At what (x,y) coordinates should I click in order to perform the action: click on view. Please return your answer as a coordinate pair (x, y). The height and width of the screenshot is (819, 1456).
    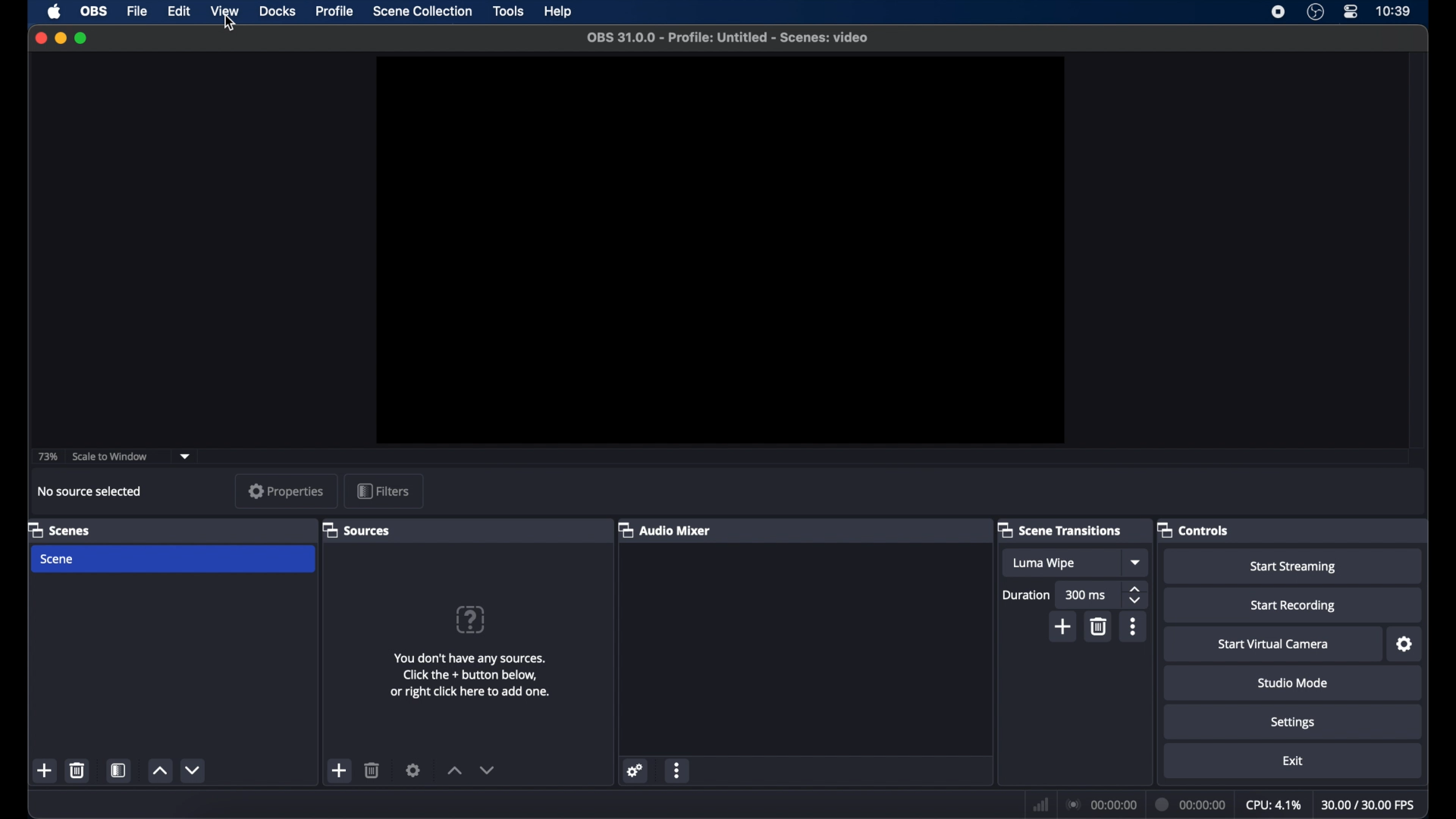
    Looking at the image, I should click on (226, 12).